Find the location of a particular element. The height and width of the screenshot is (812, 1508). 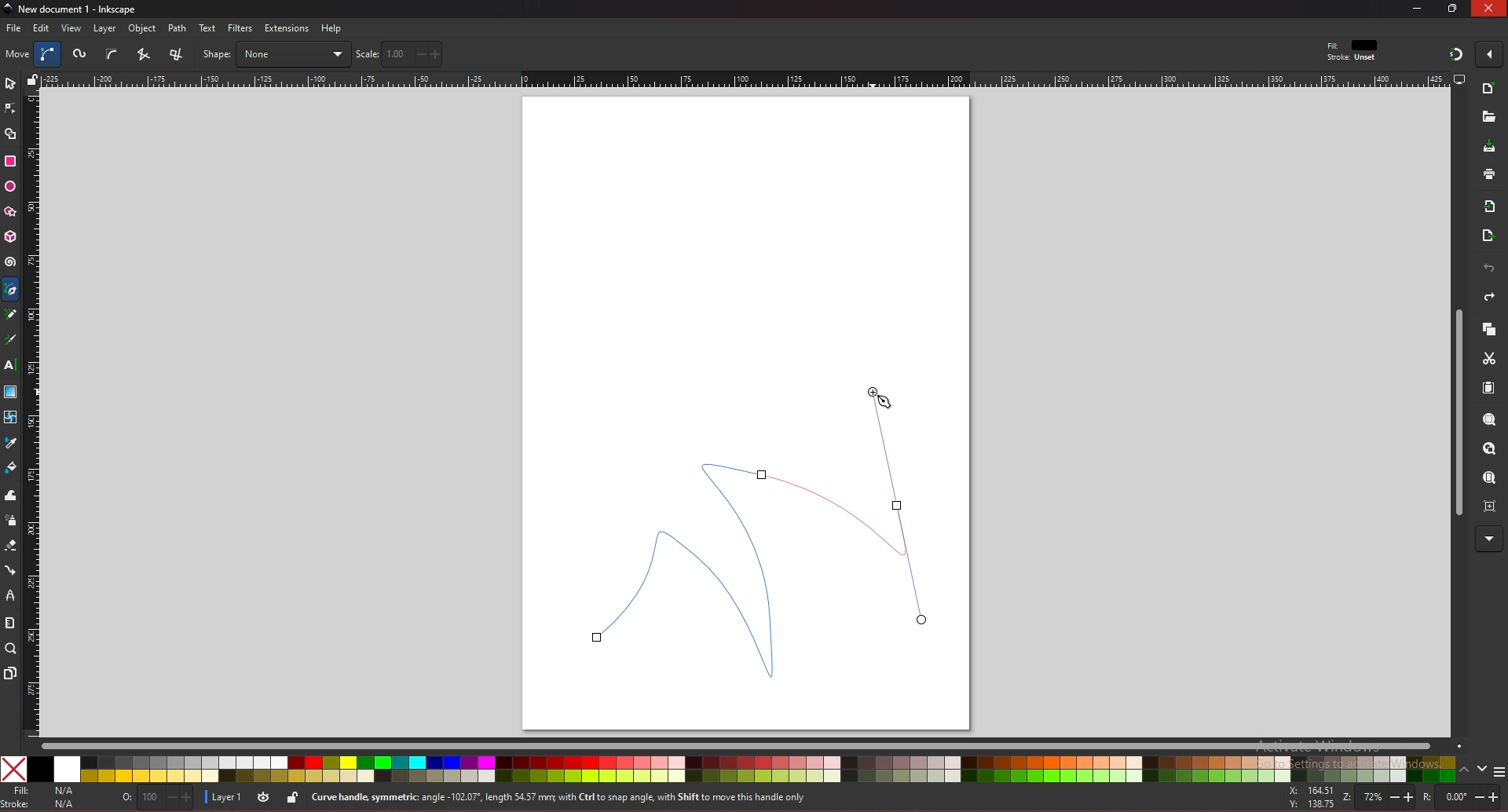

new is located at coordinates (1488, 117).